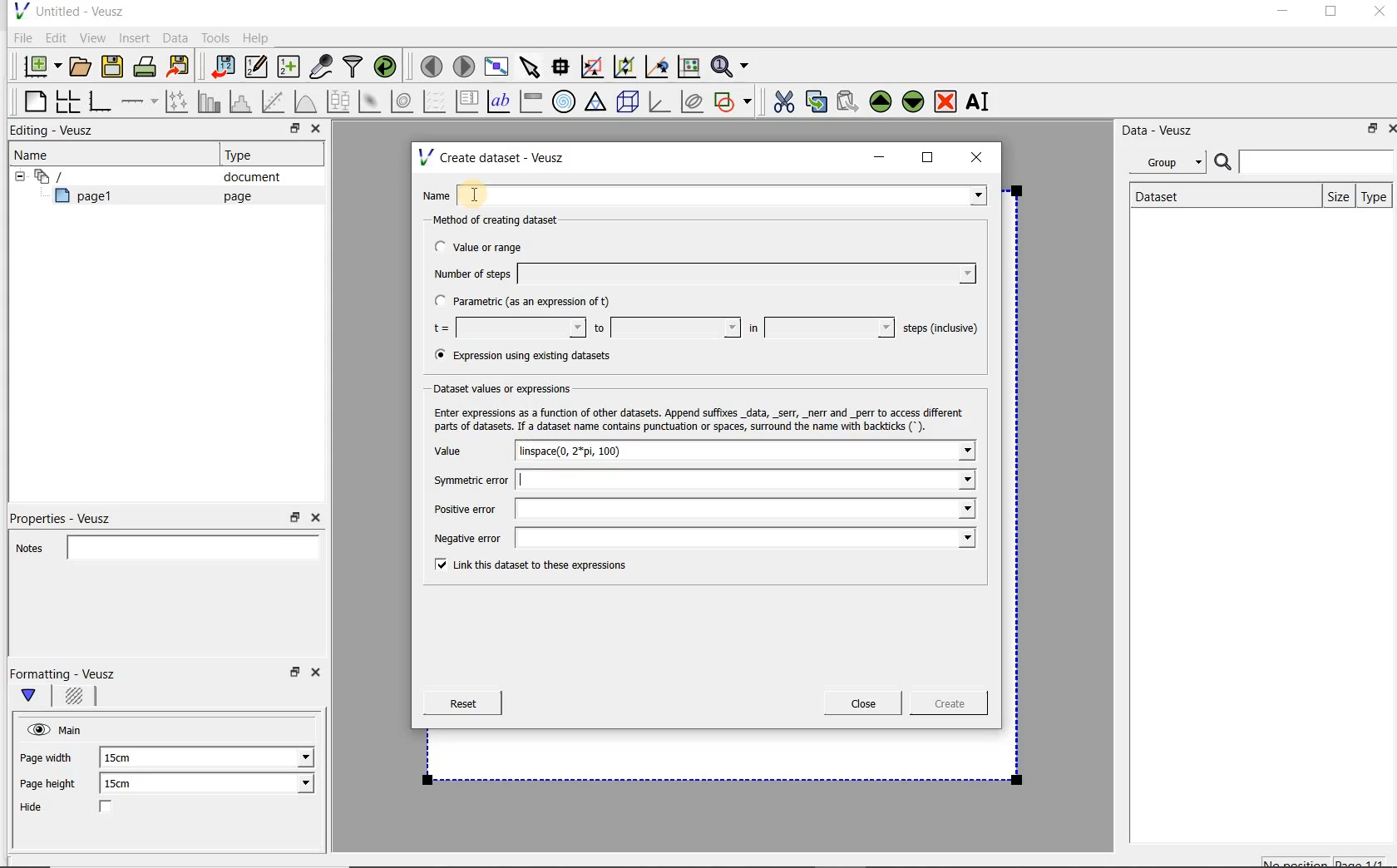  I want to click on Page width dropdown, so click(287, 757).